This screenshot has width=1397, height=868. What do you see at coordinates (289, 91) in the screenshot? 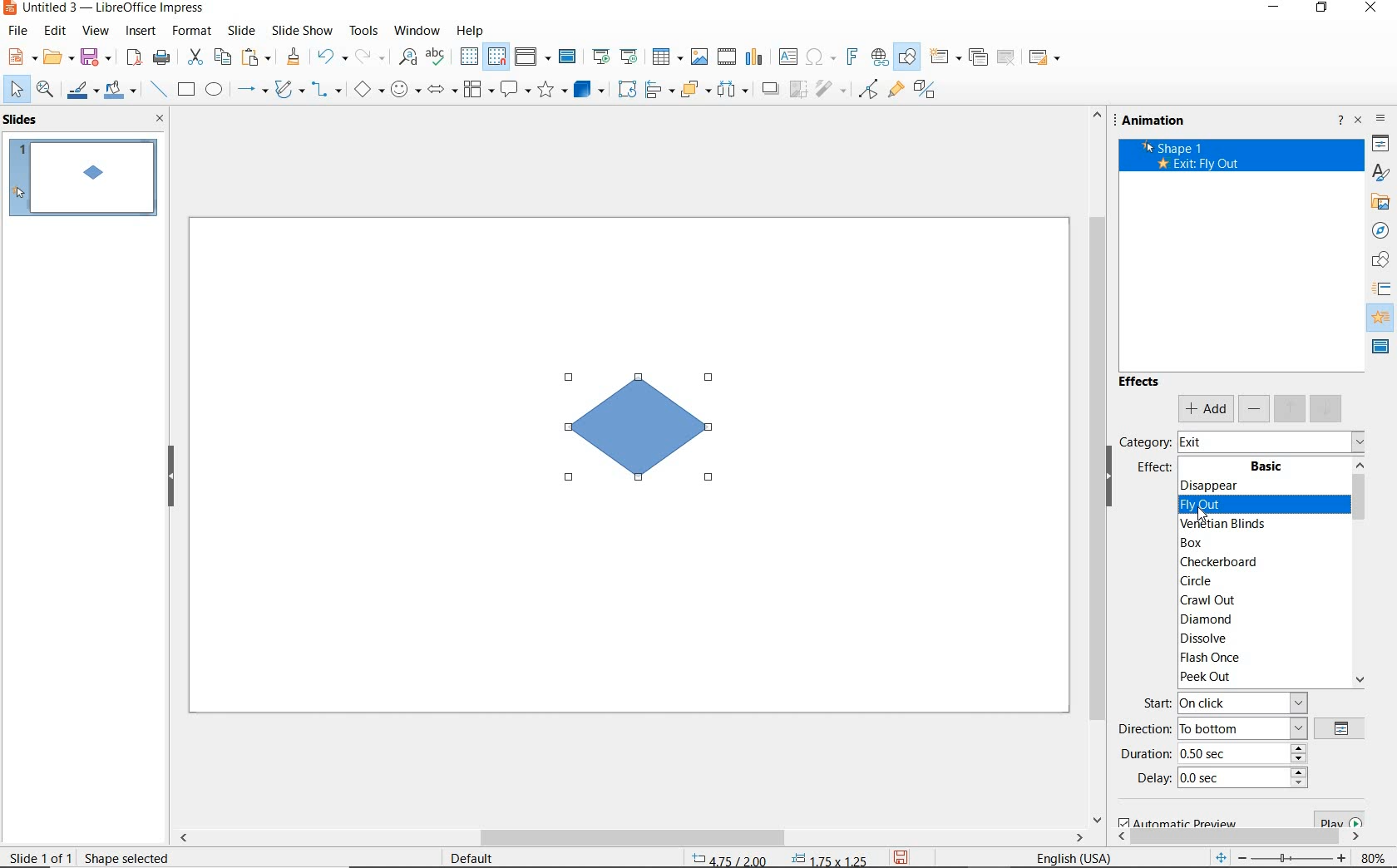
I see `curves and polygons` at bounding box center [289, 91].